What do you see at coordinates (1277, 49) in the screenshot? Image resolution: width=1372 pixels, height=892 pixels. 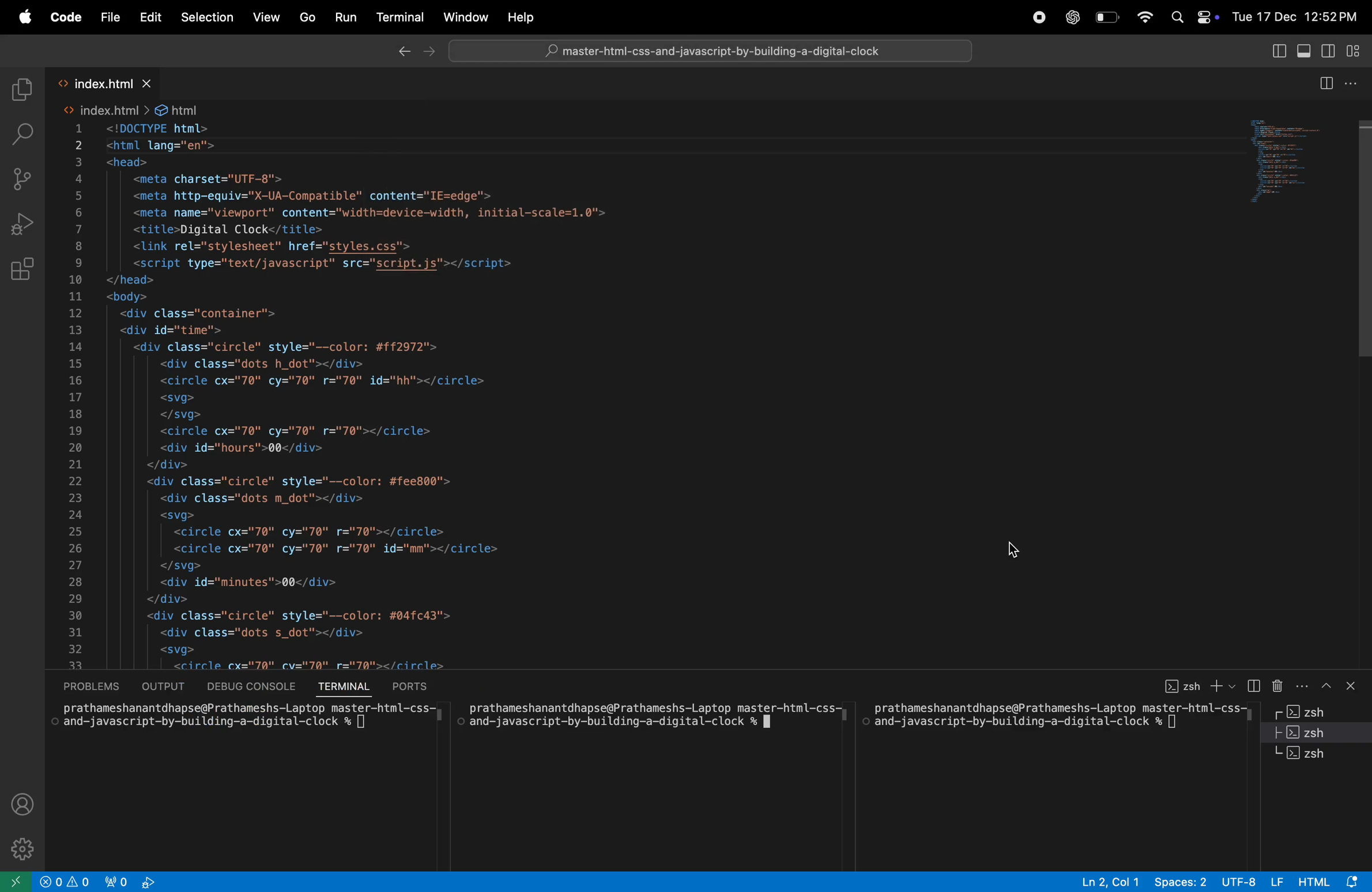 I see `view` at bounding box center [1277, 49].